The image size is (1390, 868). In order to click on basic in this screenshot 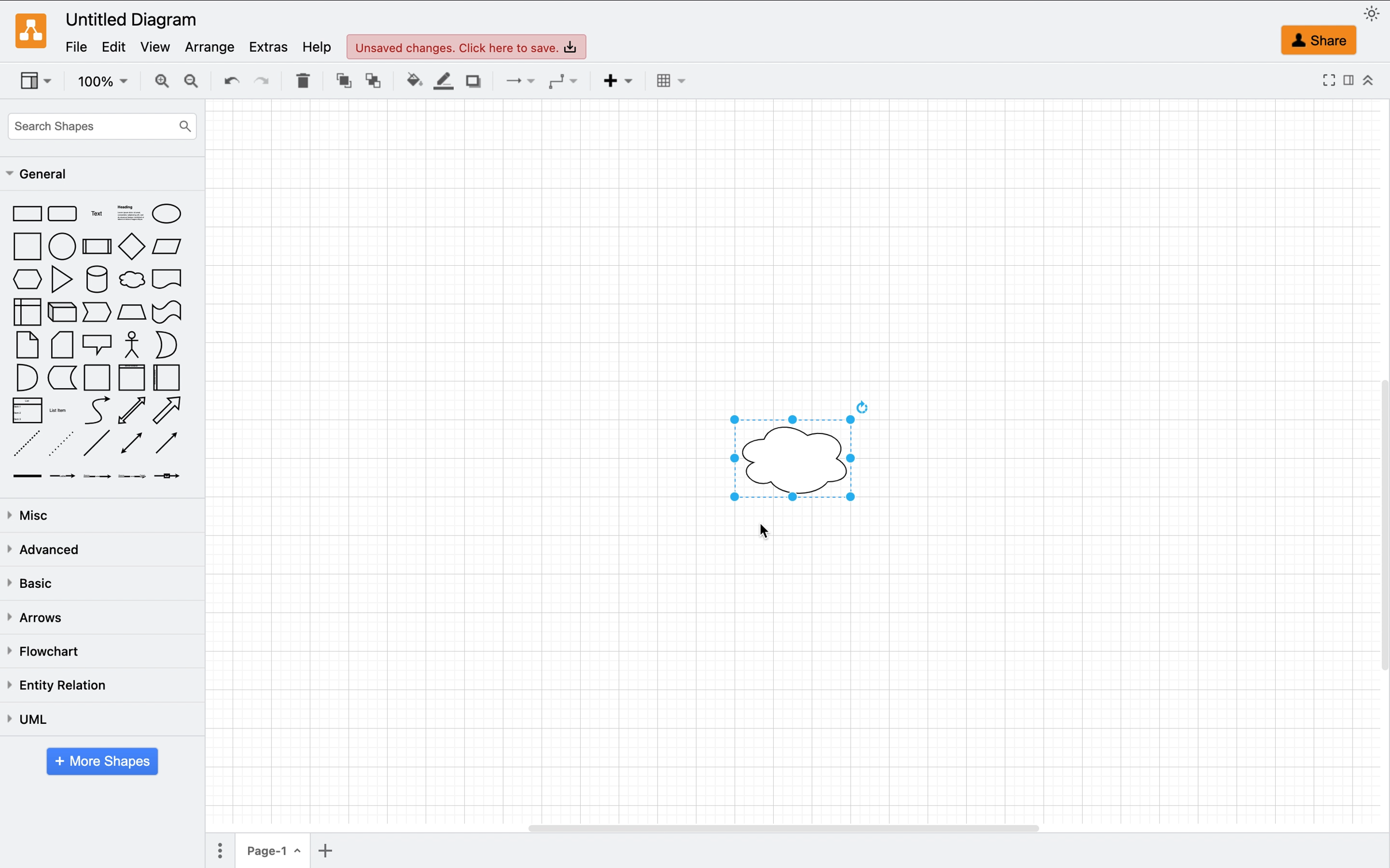, I will do `click(37, 583)`.